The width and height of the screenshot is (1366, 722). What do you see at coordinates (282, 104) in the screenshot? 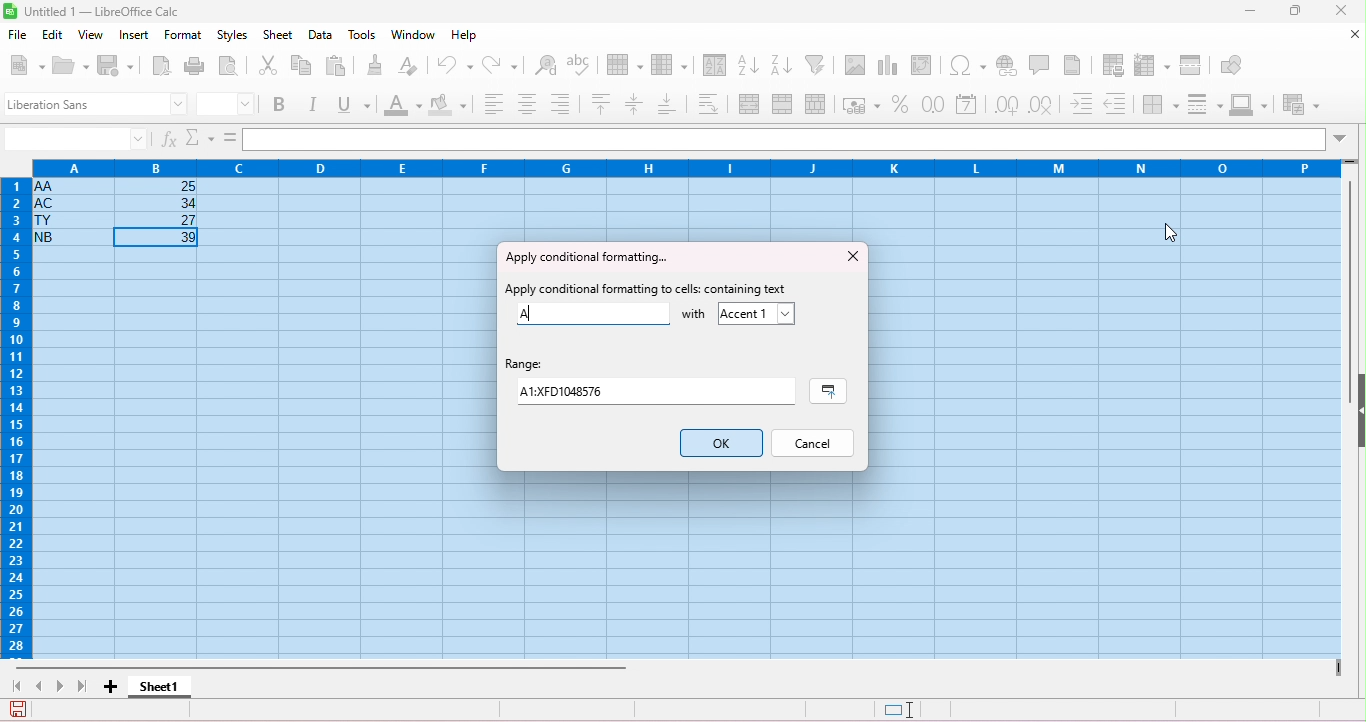
I see `bold` at bounding box center [282, 104].